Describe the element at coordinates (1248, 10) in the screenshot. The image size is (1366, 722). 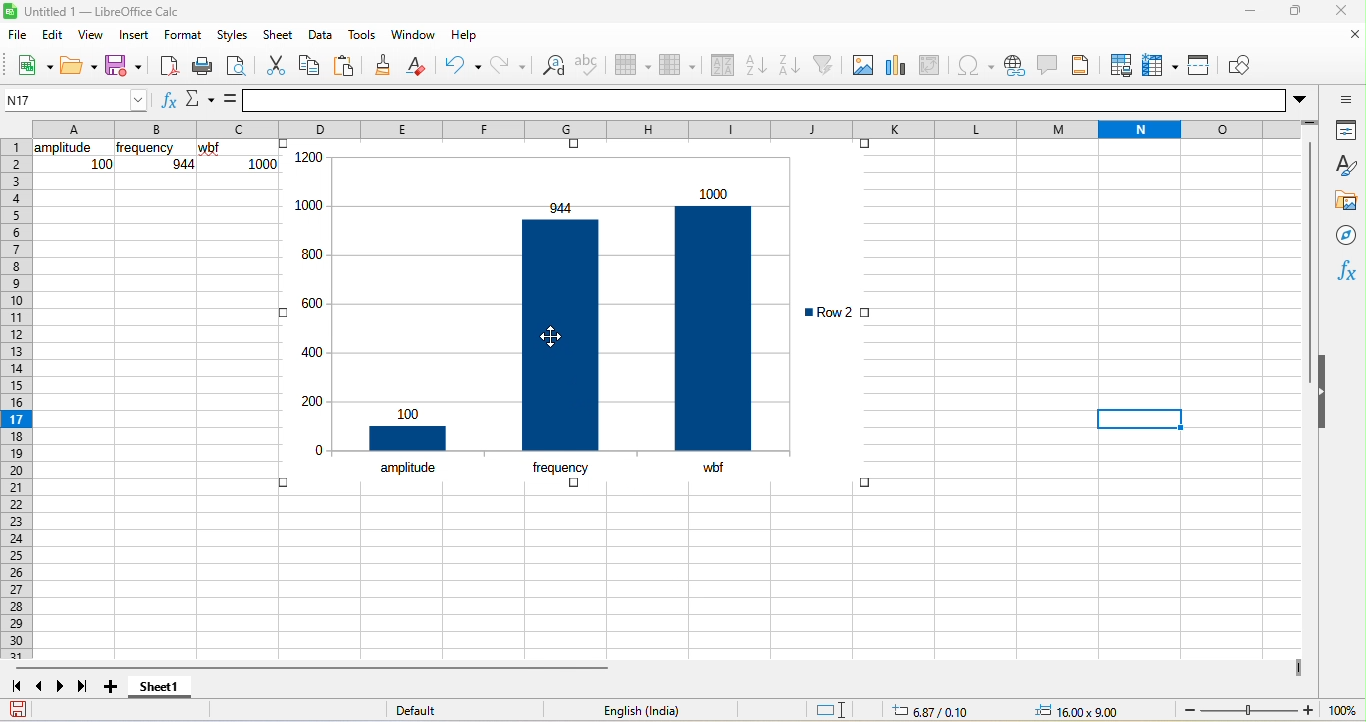
I see `minimize` at that location.